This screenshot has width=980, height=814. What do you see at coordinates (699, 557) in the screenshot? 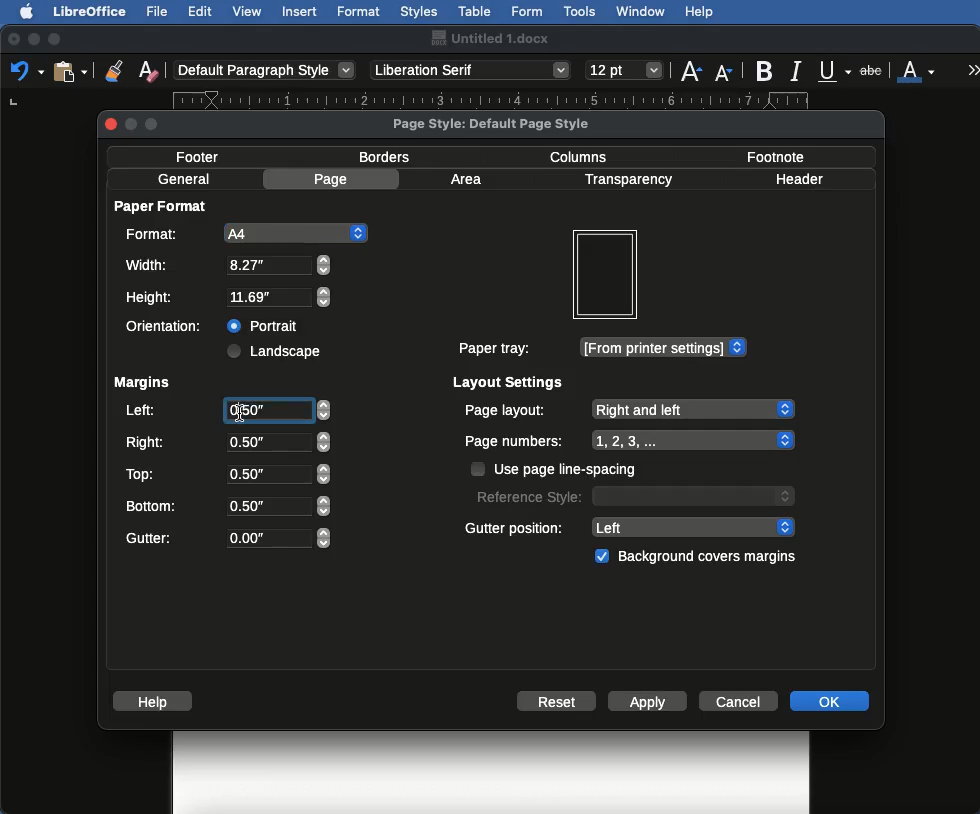
I see `Background covers margins` at bounding box center [699, 557].